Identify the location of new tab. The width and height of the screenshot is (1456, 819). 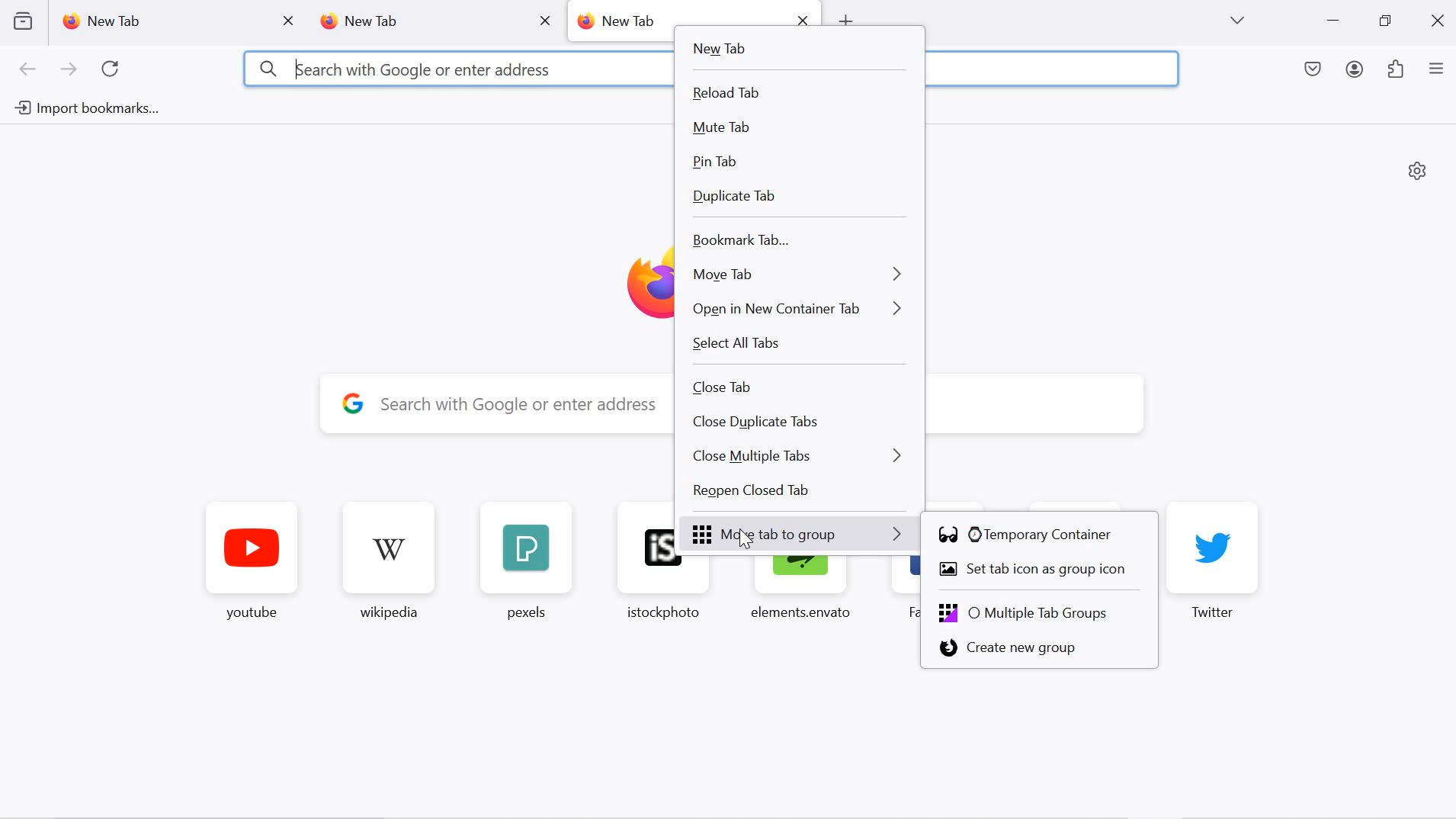
(797, 51).